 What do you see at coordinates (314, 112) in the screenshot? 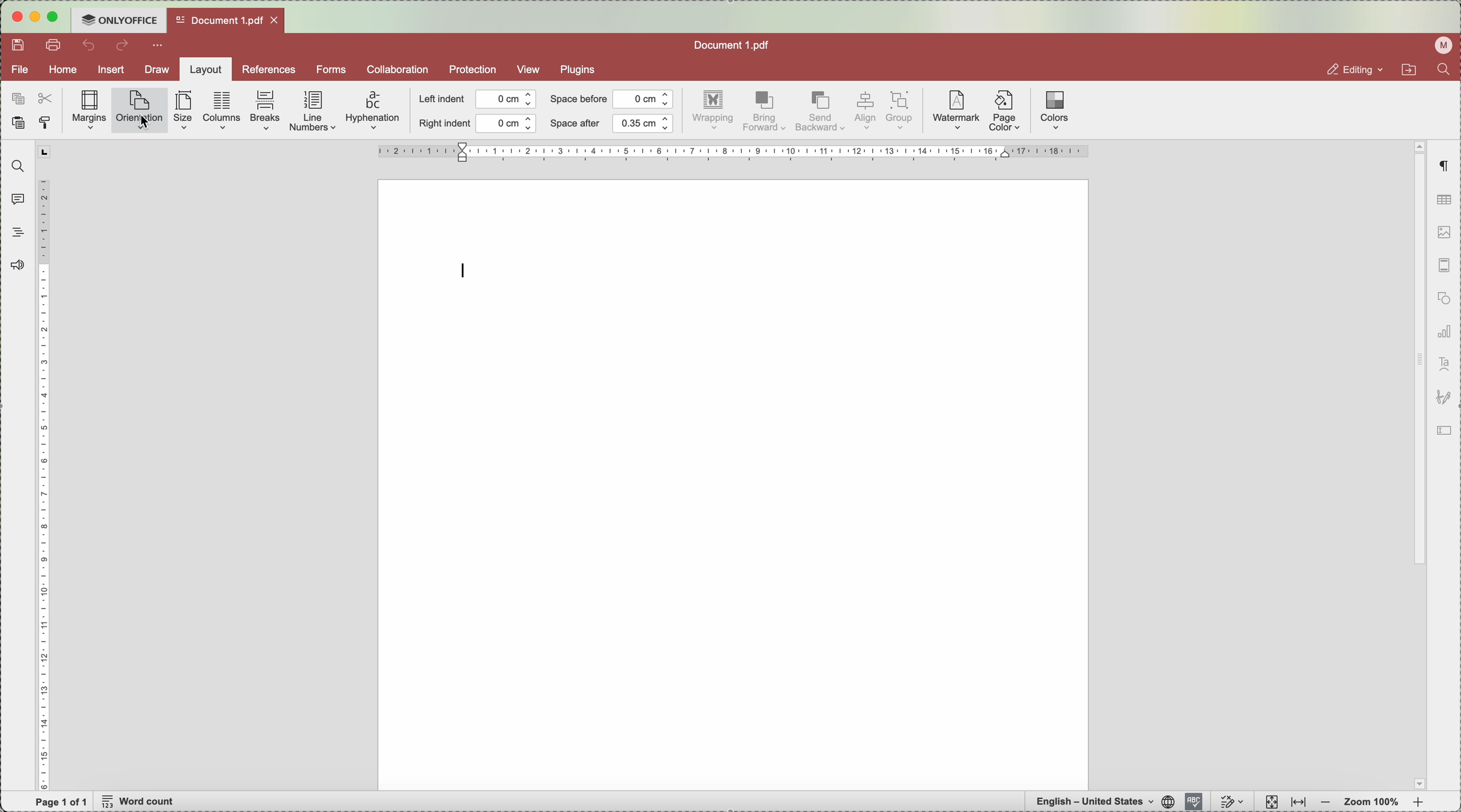
I see `line numbers` at bounding box center [314, 112].